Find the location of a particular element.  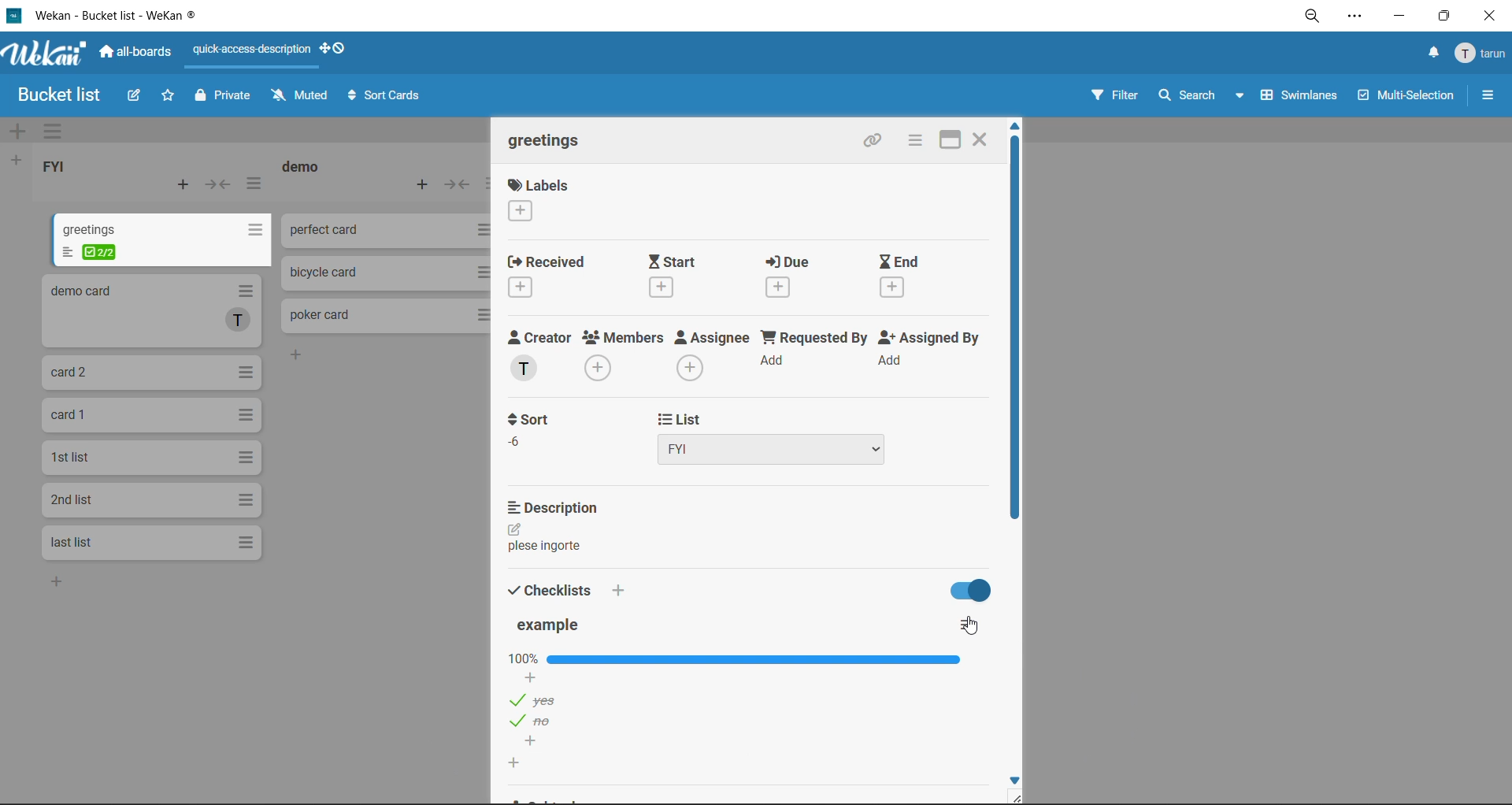

add swimlane is located at coordinates (18, 129).